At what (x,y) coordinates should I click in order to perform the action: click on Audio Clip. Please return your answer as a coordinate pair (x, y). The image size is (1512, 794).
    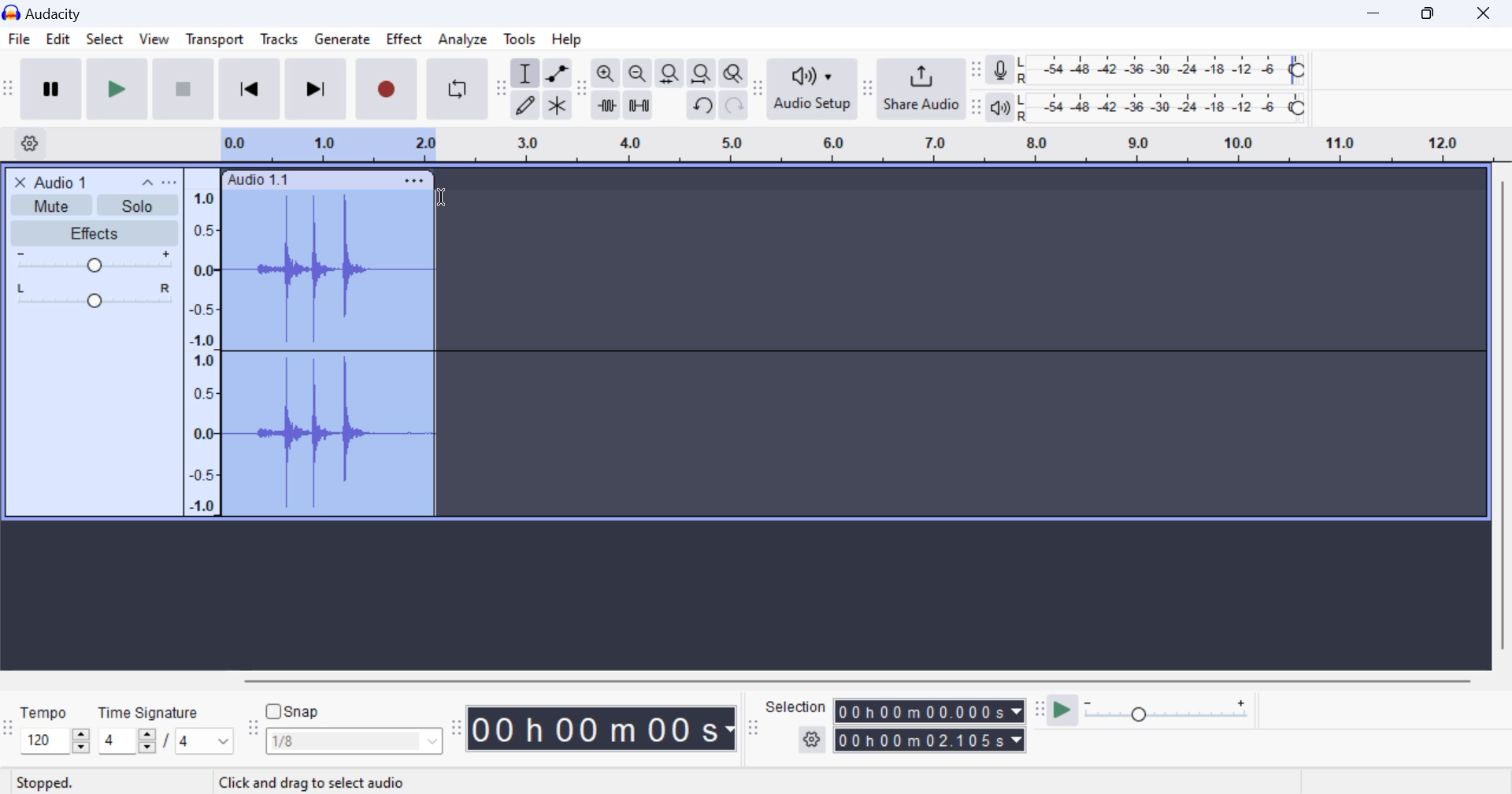
    Looking at the image, I should click on (327, 354).